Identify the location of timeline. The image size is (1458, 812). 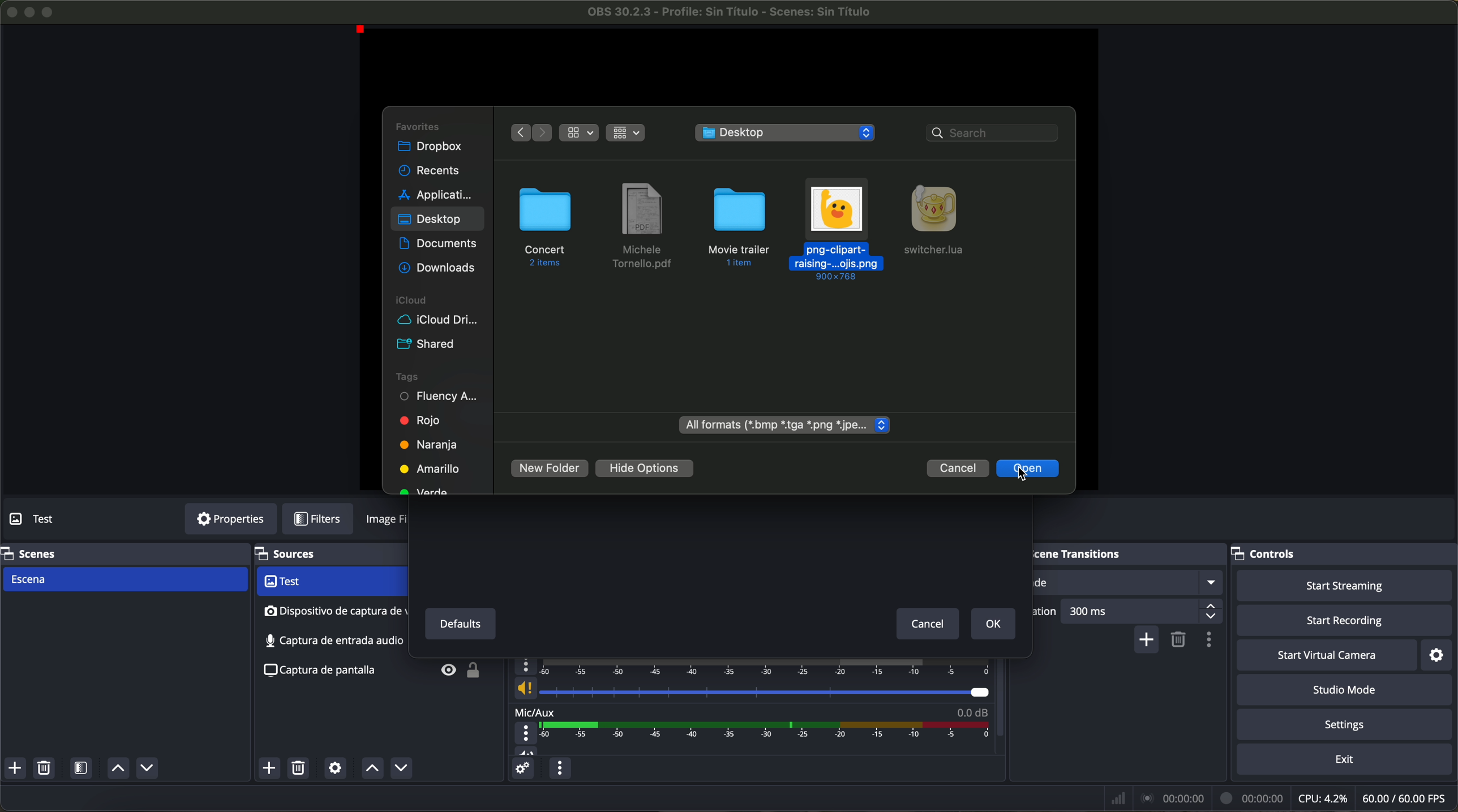
(769, 731).